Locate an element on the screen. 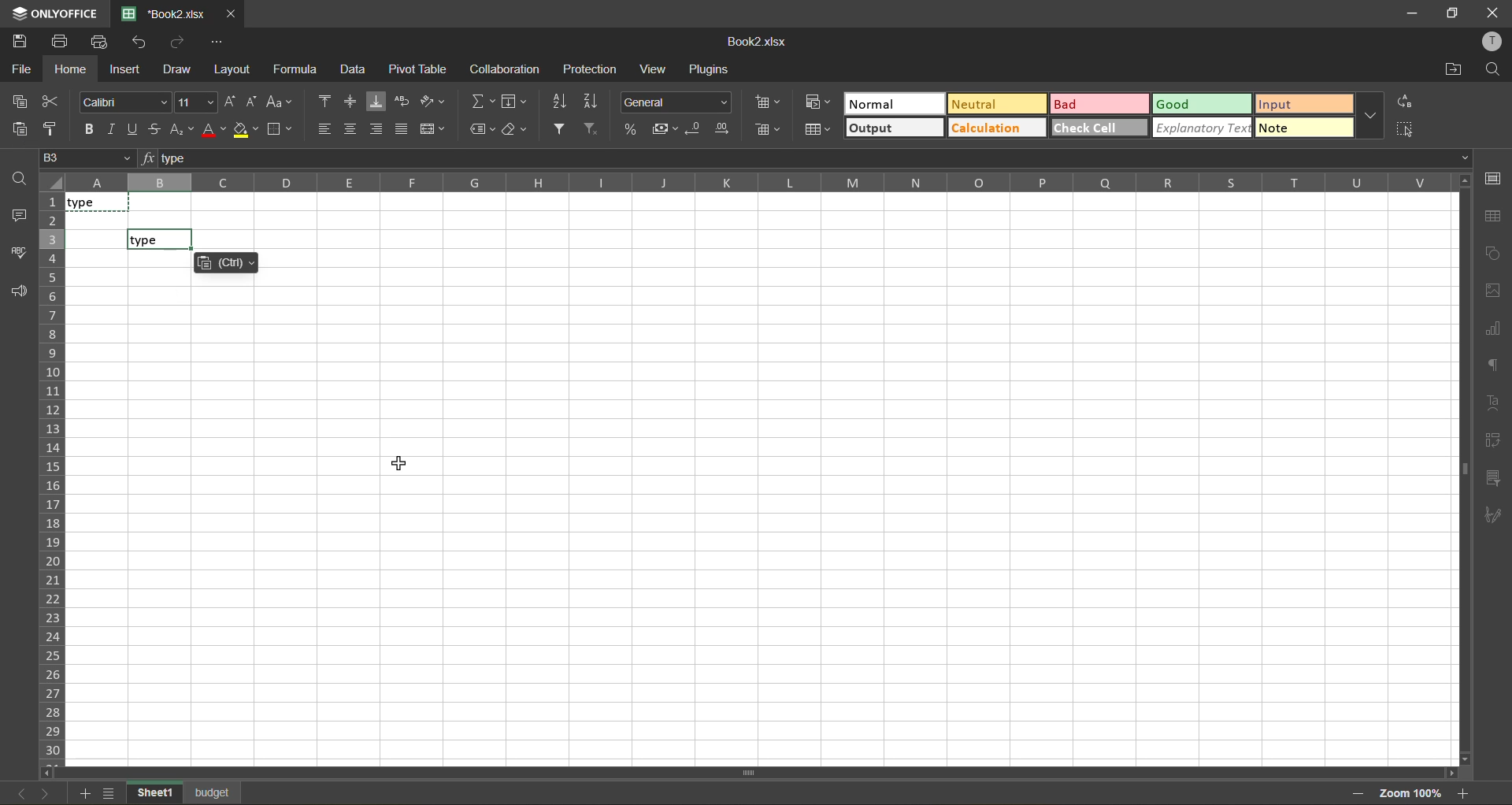  align bottom is located at coordinates (375, 101).